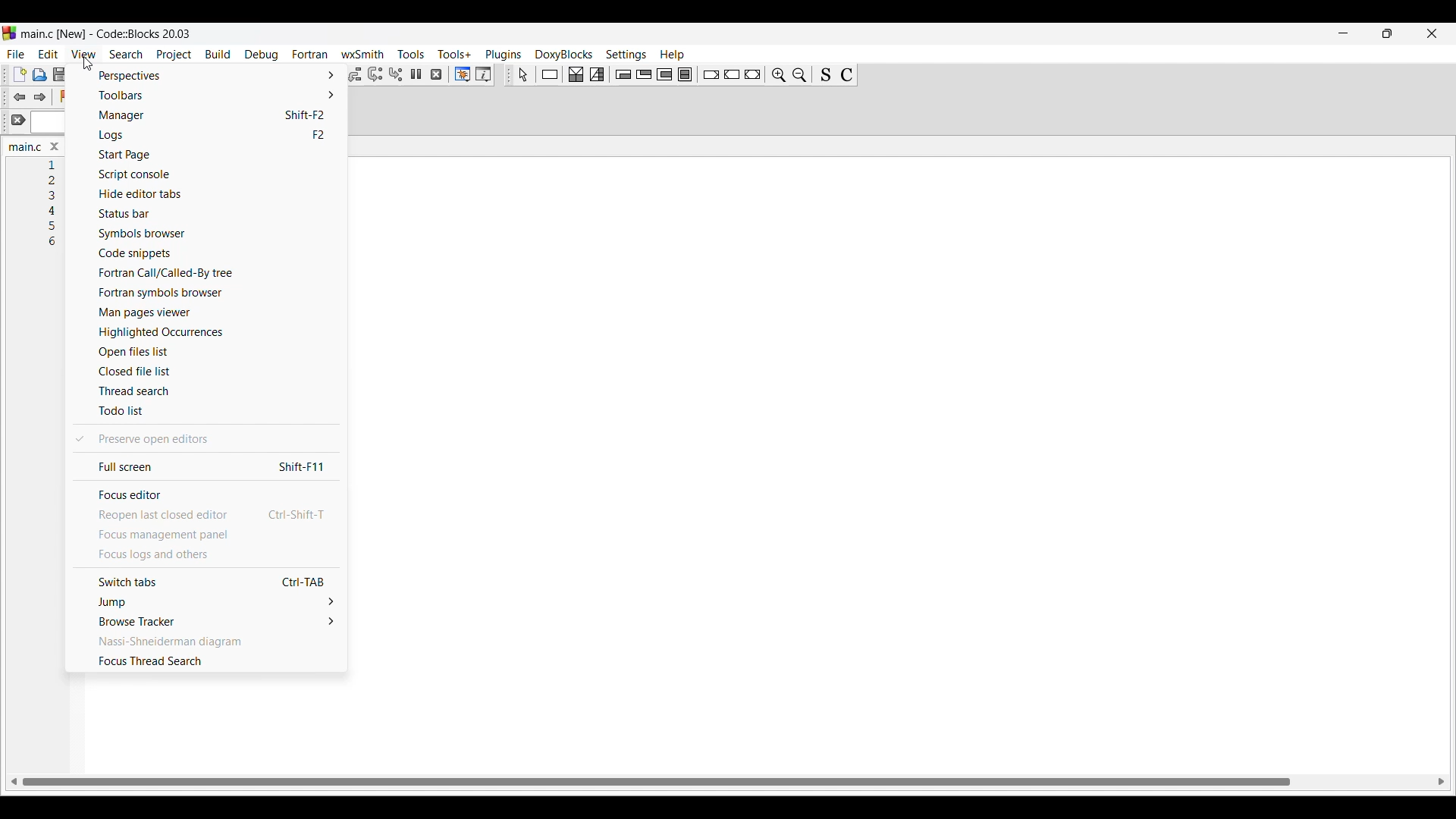  What do you see at coordinates (20, 147) in the screenshot?
I see `Current tab` at bounding box center [20, 147].